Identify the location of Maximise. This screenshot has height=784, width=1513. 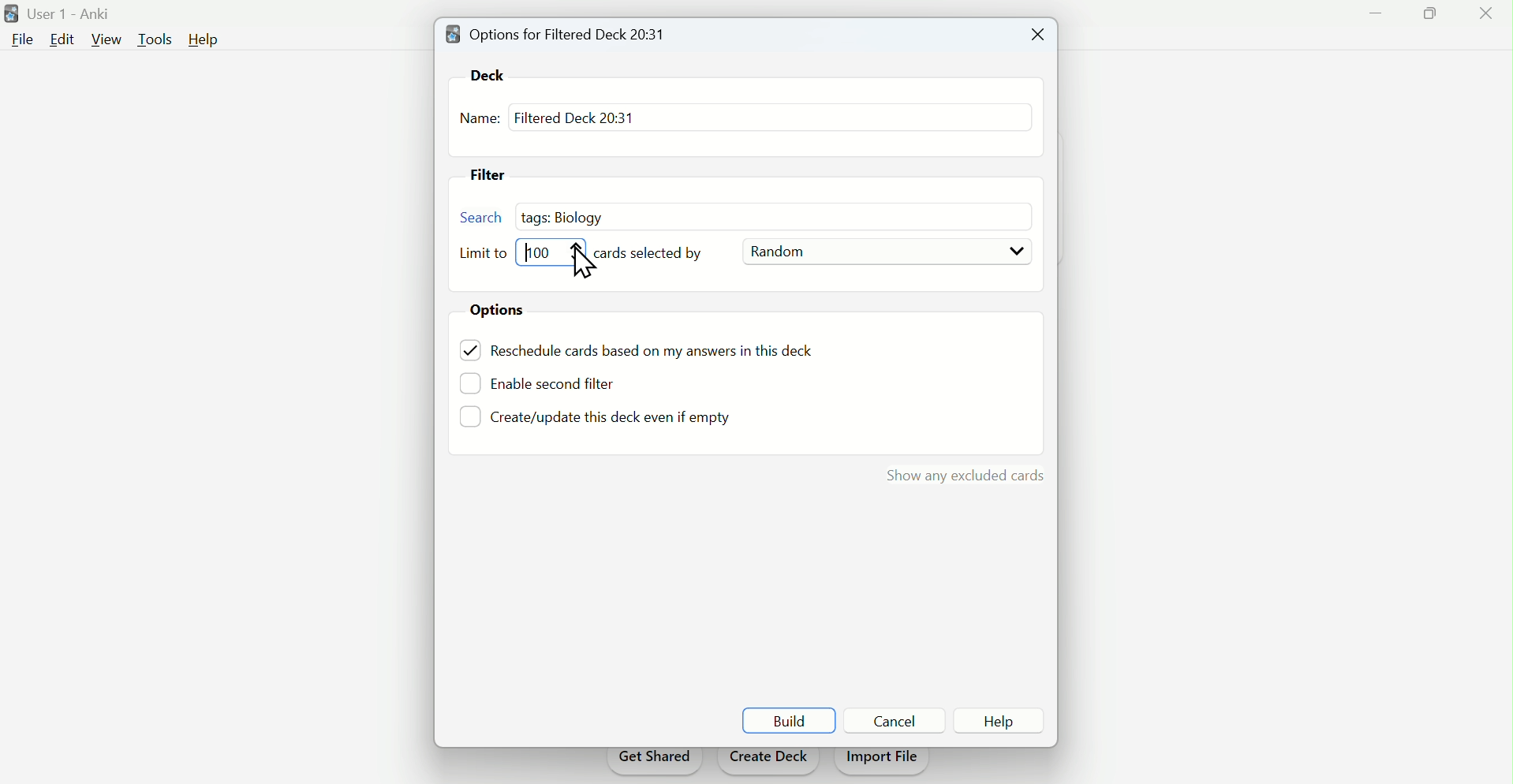
(1423, 20).